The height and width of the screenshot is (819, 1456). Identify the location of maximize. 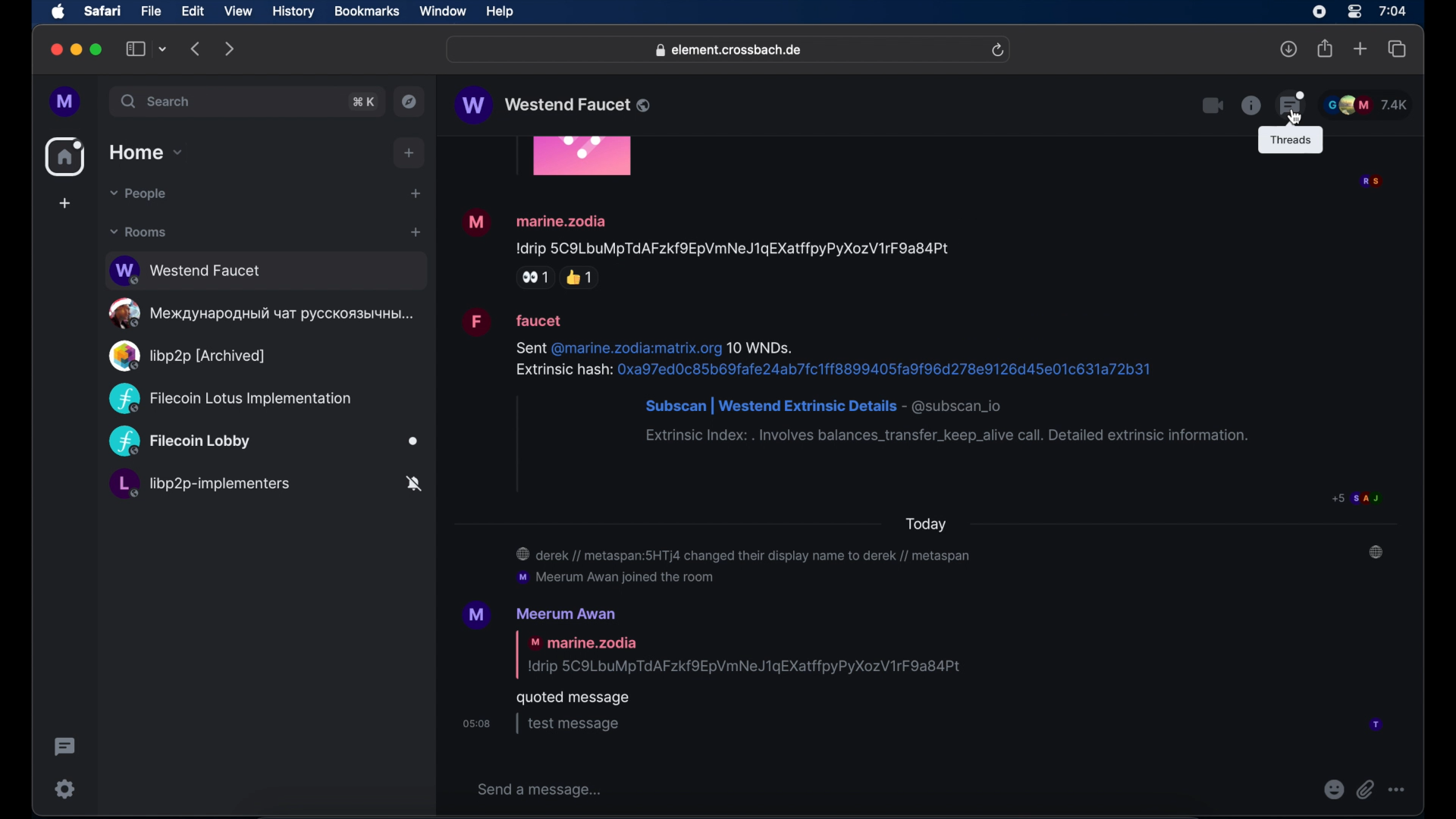
(96, 50).